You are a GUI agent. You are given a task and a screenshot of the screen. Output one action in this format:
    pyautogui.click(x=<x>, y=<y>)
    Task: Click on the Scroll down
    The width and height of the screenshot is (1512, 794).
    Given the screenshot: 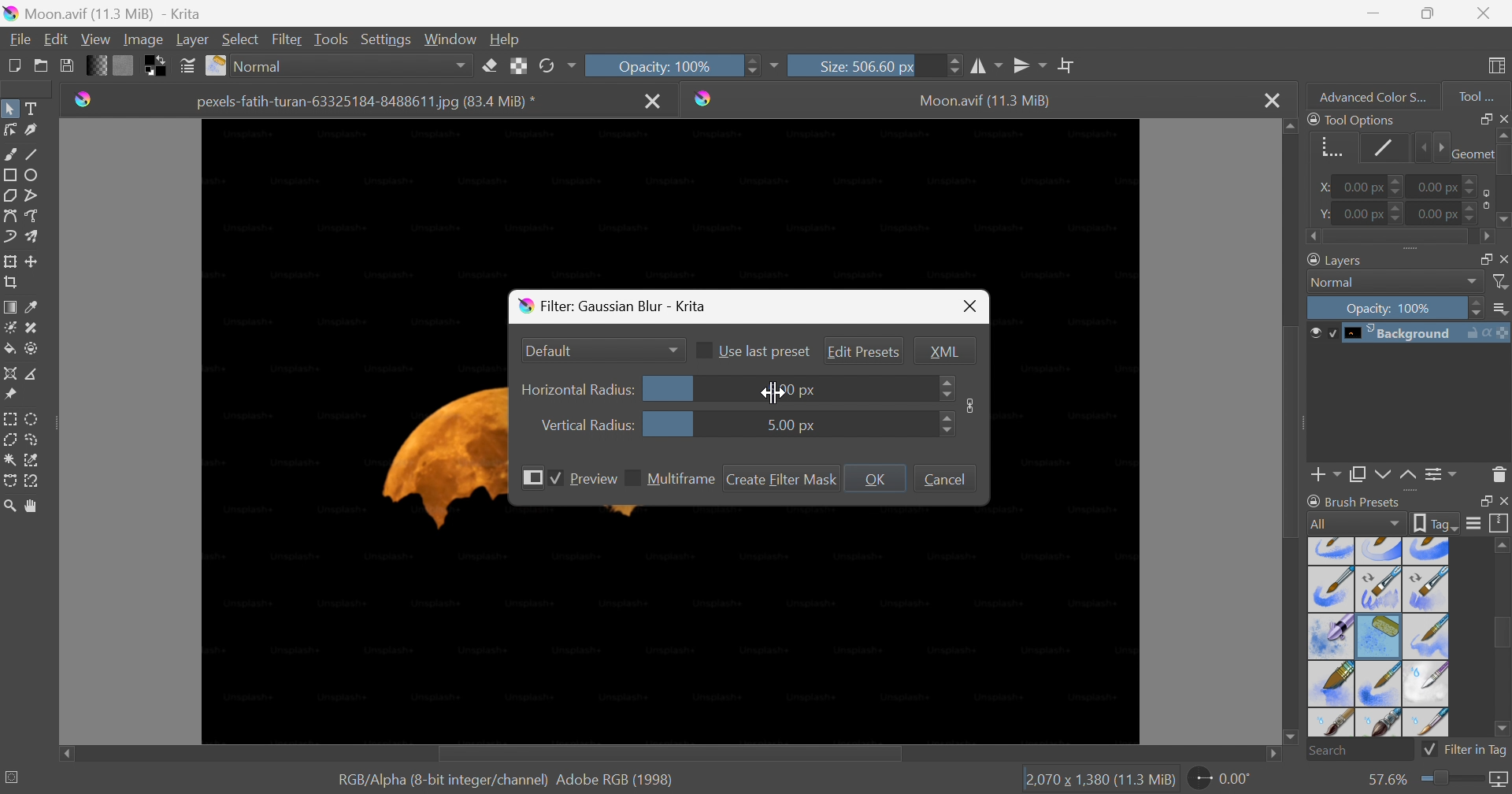 What is the action you would take?
    pyautogui.click(x=1503, y=222)
    